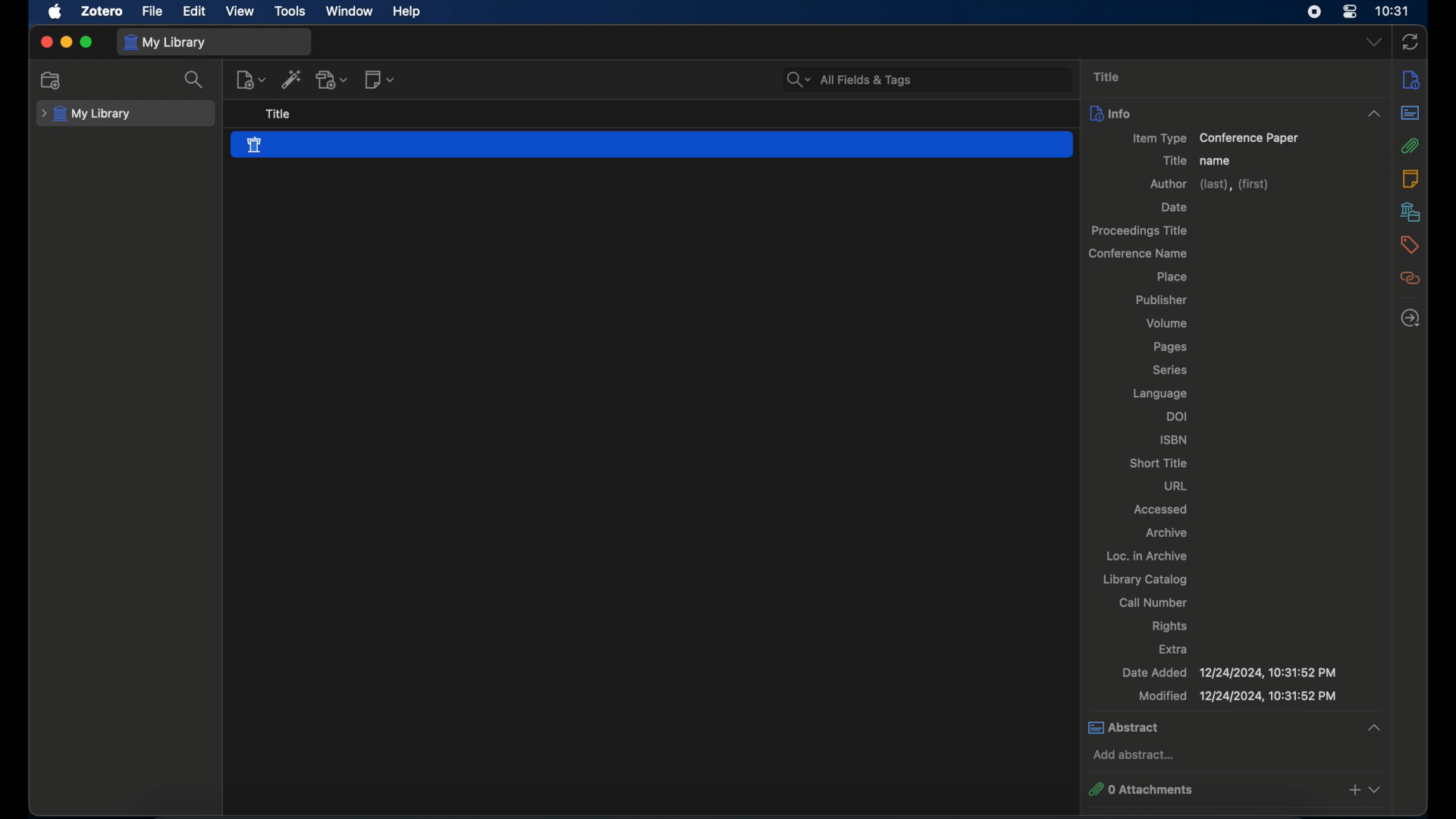  Describe the element at coordinates (1393, 11) in the screenshot. I see `time` at that location.